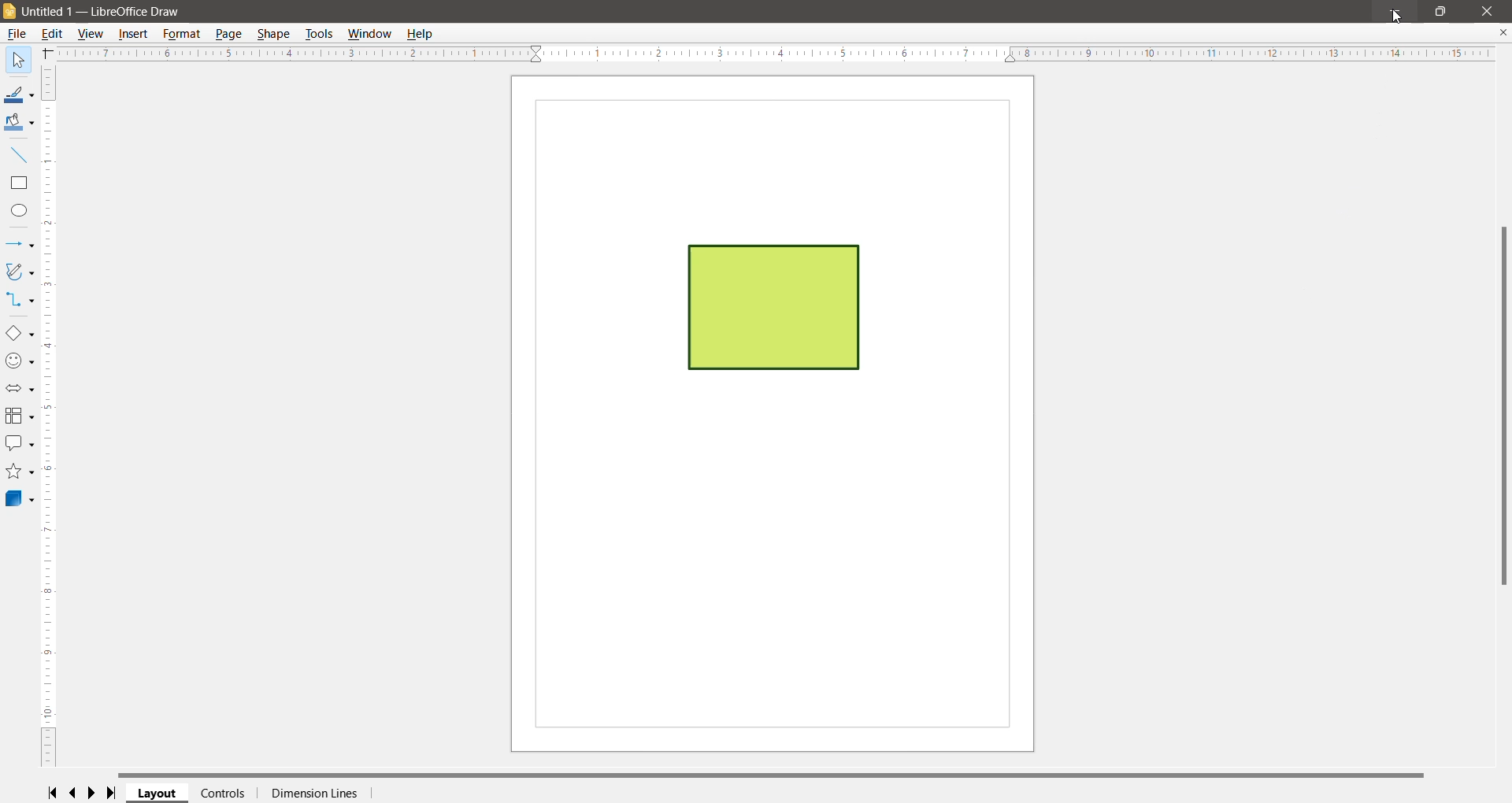 The width and height of the screenshot is (1512, 803). I want to click on Horizontal Ruler, so click(774, 54).